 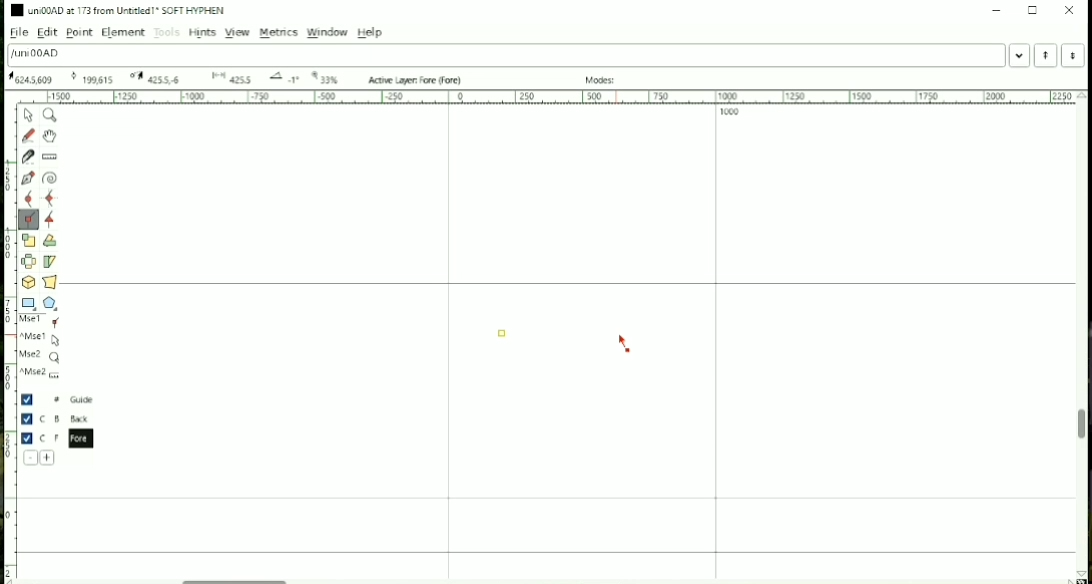 What do you see at coordinates (35, 55) in the screenshot?
I see `Letter name` at bounding box center [35, 55].